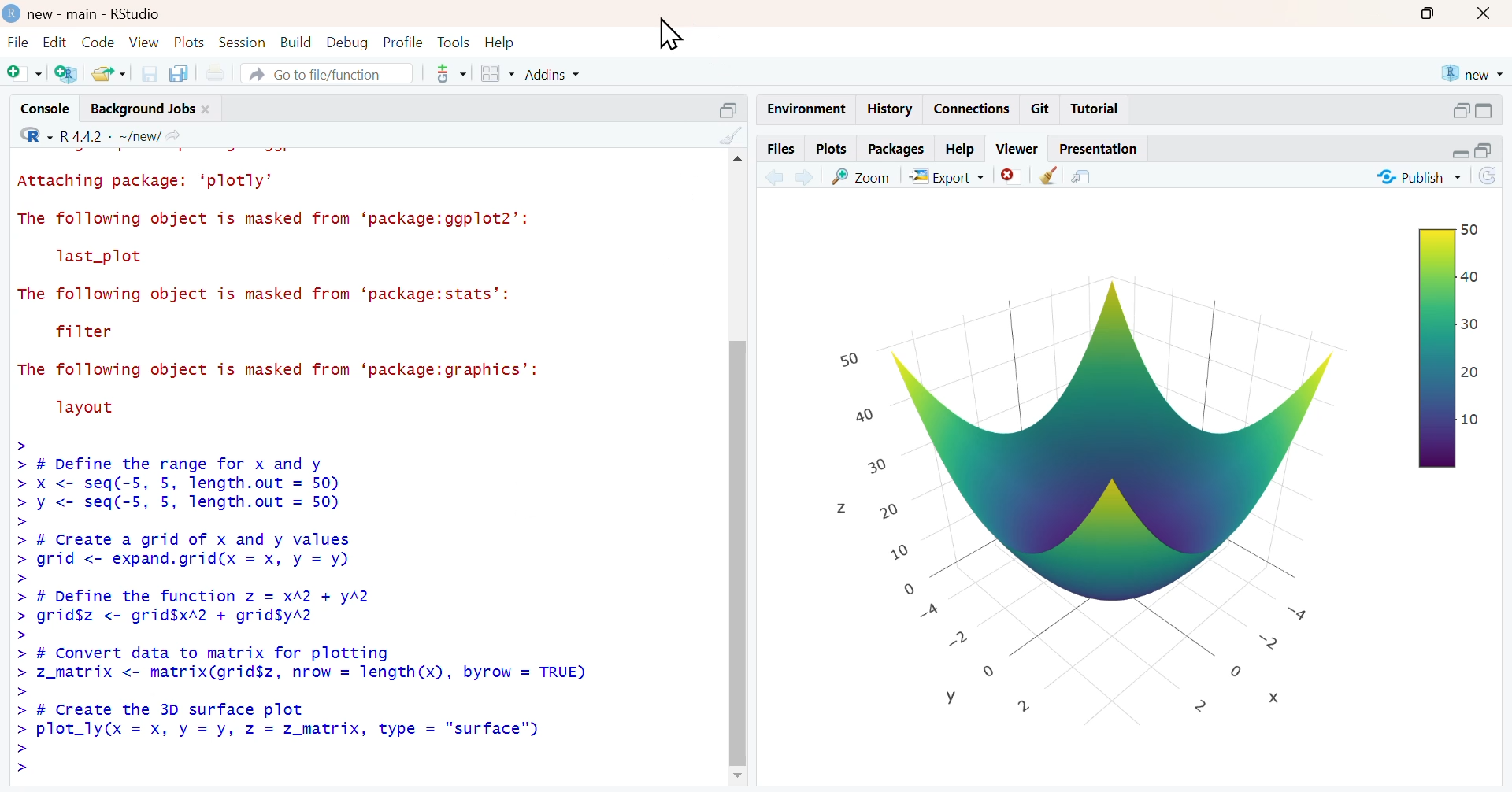 This screenshot has width=1512, height=792. Describe the element at coordinates (222, 73) in the screenshot. I see `print the current file` at that location.